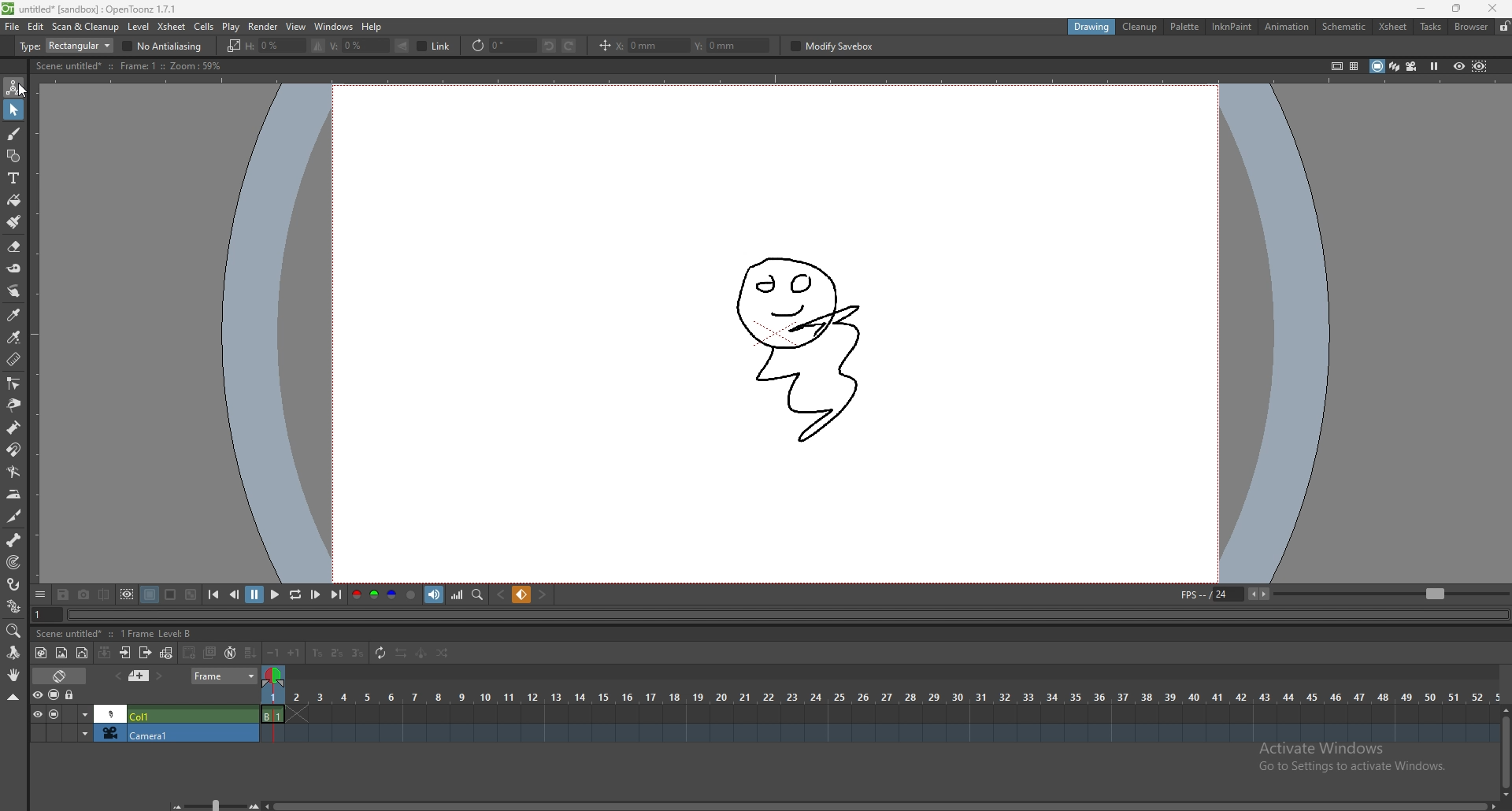  Describe the element at coordinates (274, 46) in the screenshot. I see `horizontal` at that location.